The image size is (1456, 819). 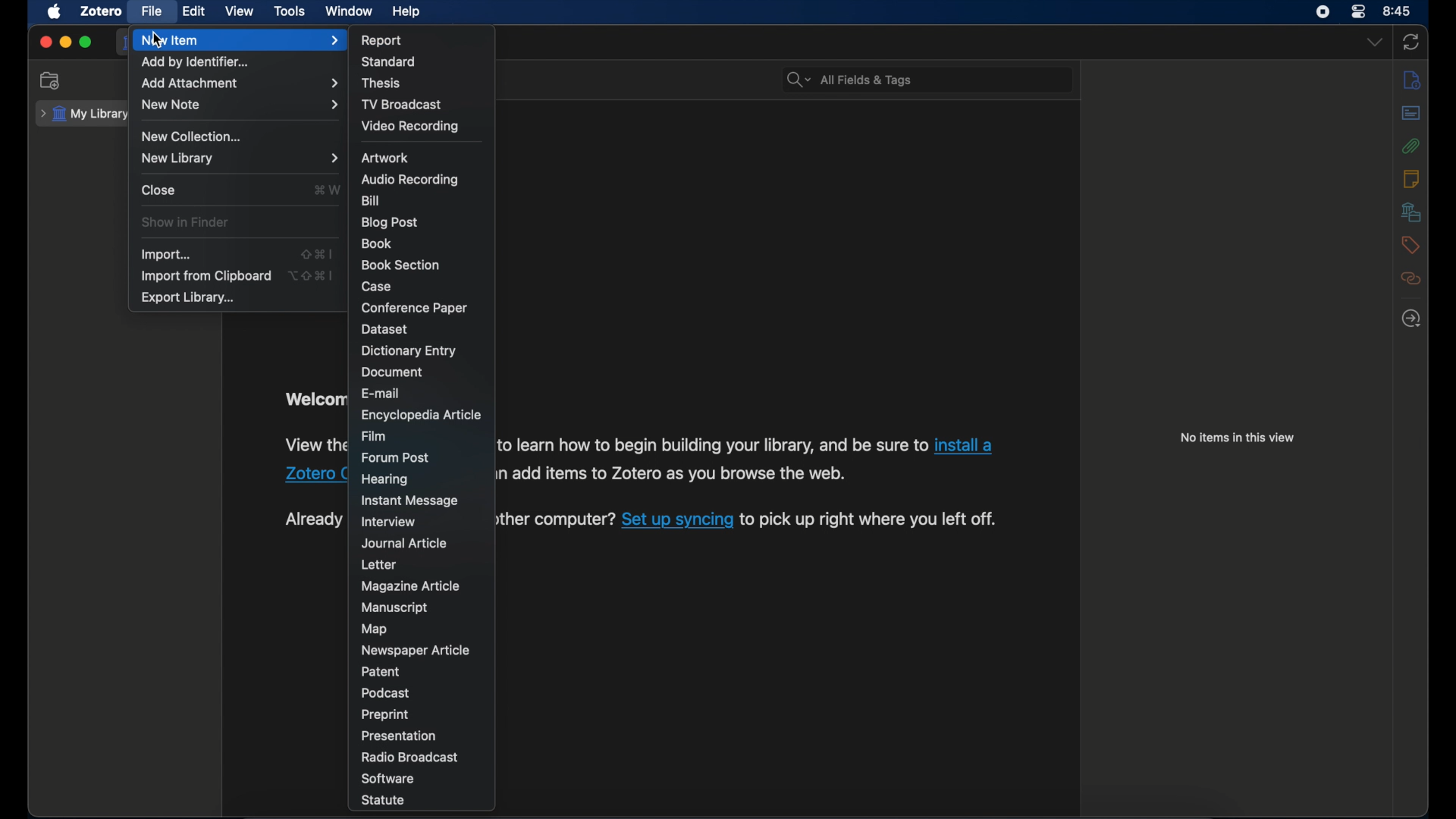 What do you see at coordinates (388, 779) in the screenshot?
I see `software` at bounding box center [388, 779].